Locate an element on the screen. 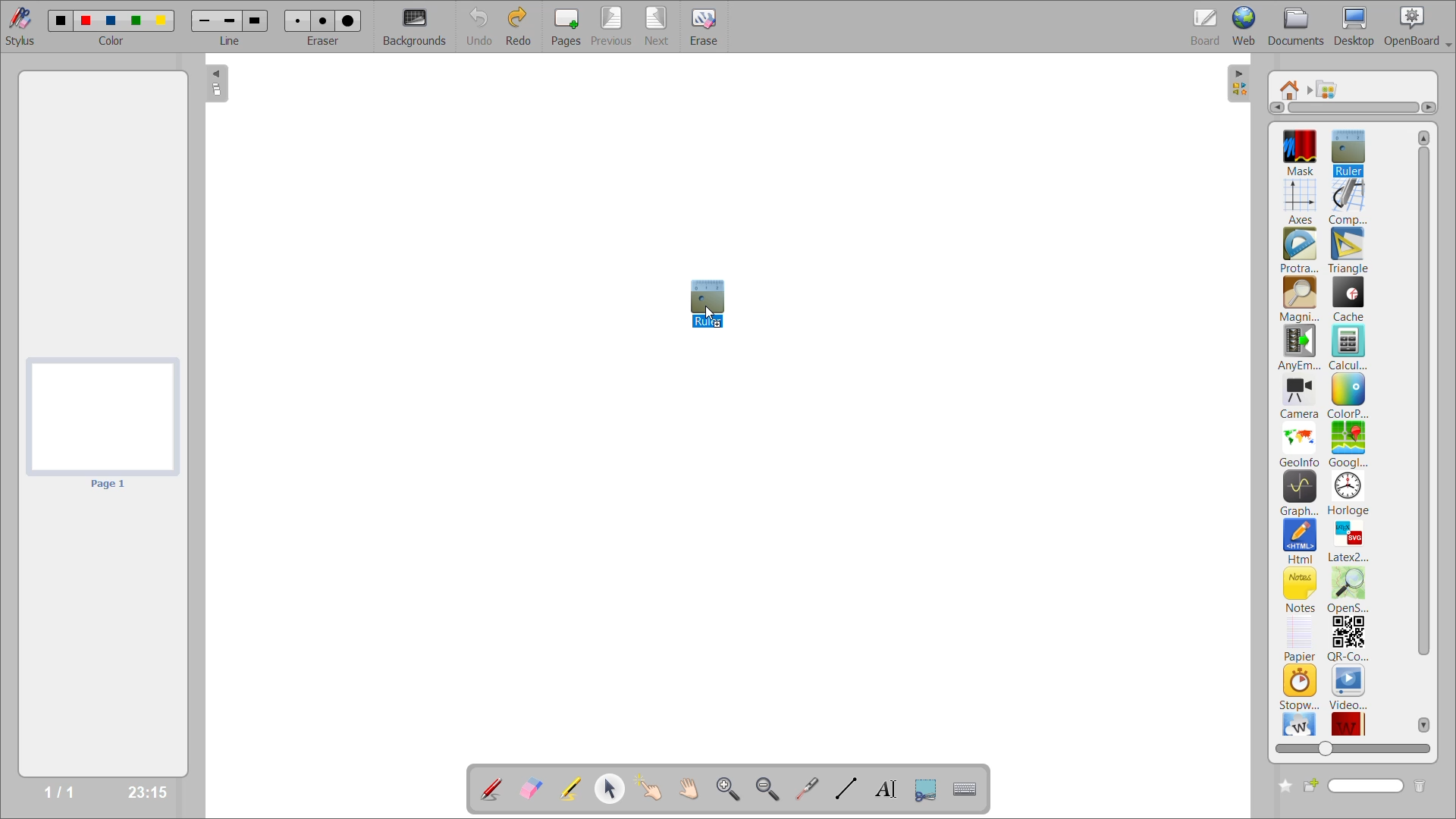 The image size is (1456, 819). eraser 2 is located at coordinates (323, 20).